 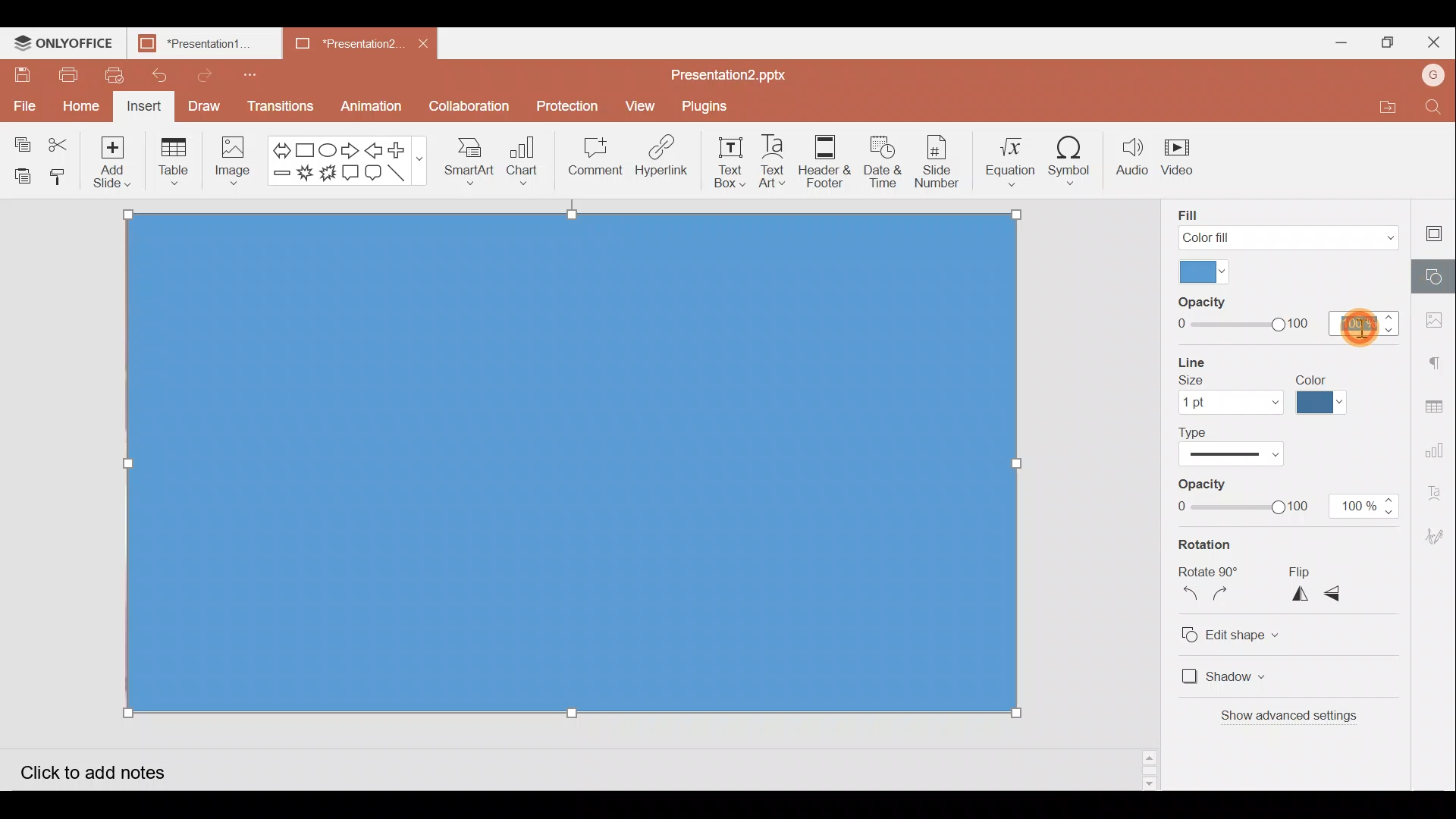 I want to click on Fill, so click(x=1283, y=224).